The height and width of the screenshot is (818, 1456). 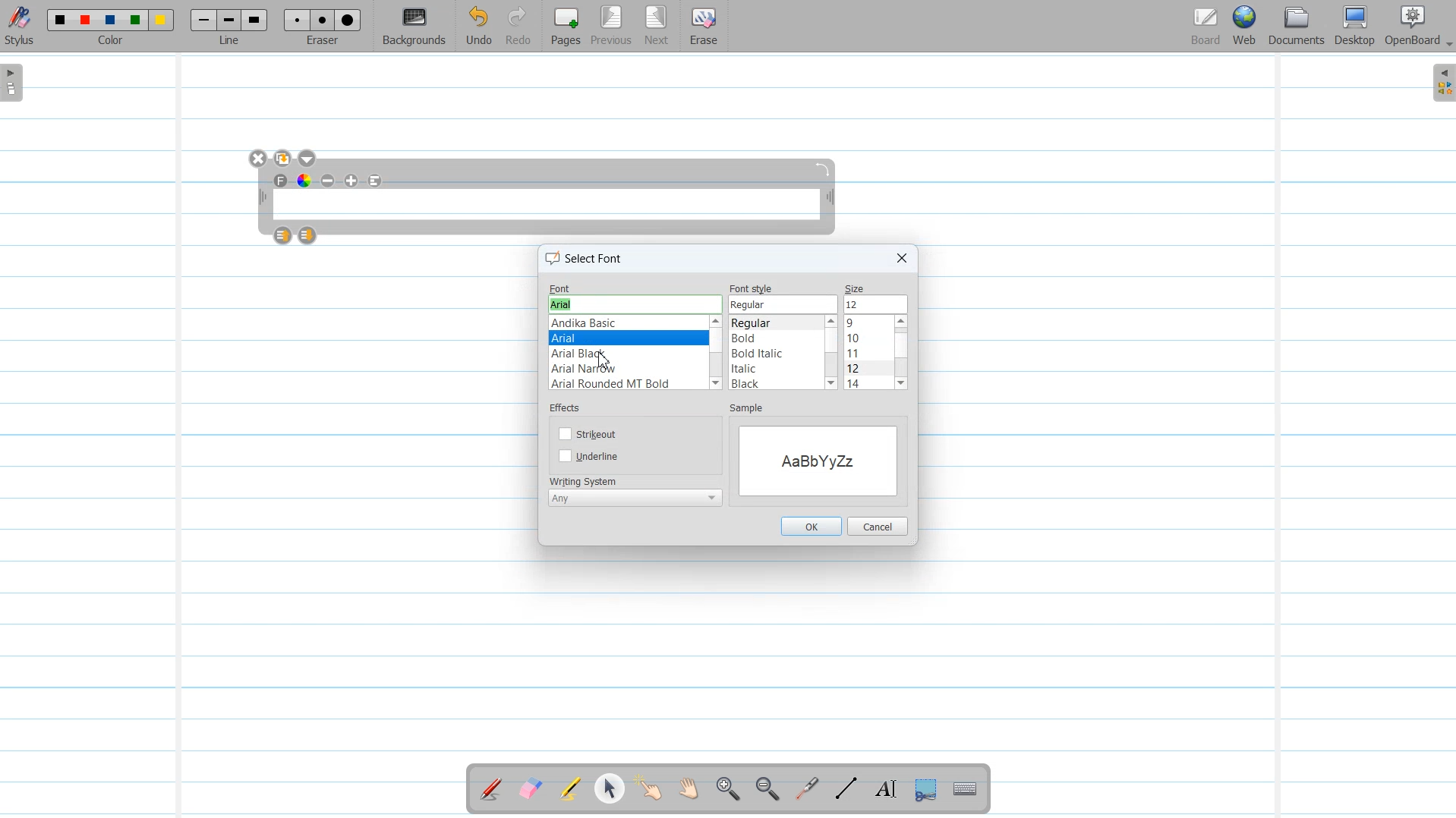 I want to click on Virtual Laser Pointer, so click(x=803, y=790).